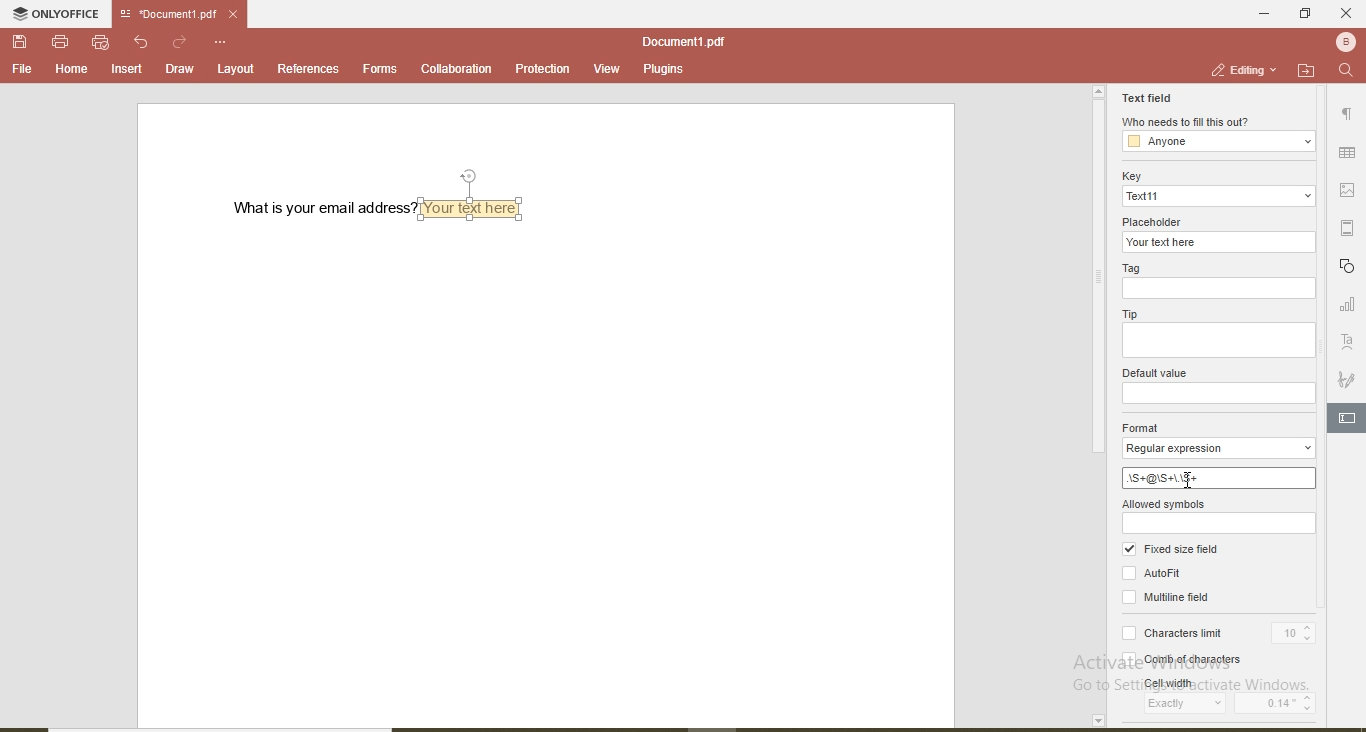 The image size is (1366, 732). I want to click on format, so click(1143, 426).